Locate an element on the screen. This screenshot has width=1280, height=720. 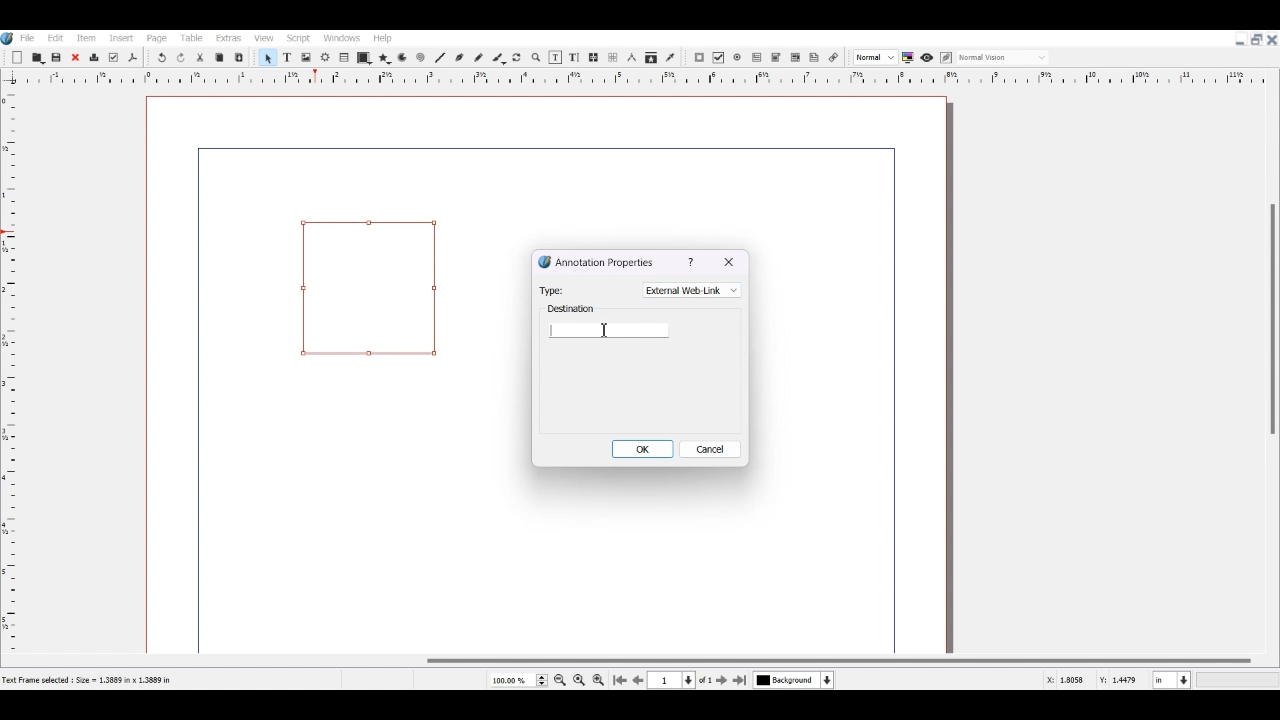
Undo is located at coordinates (161, 58).